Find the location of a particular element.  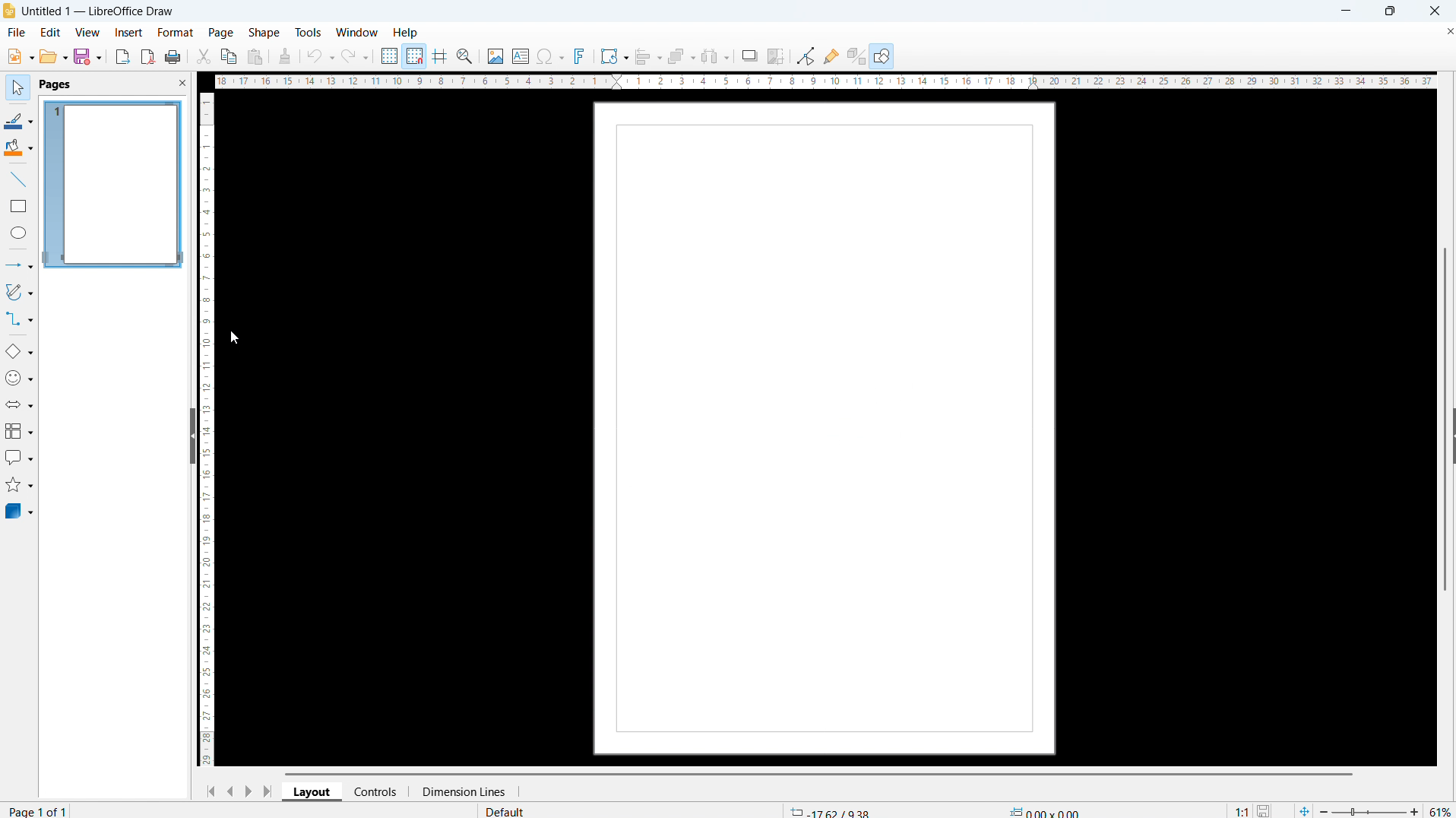

align is located at coordinates (648, 56).